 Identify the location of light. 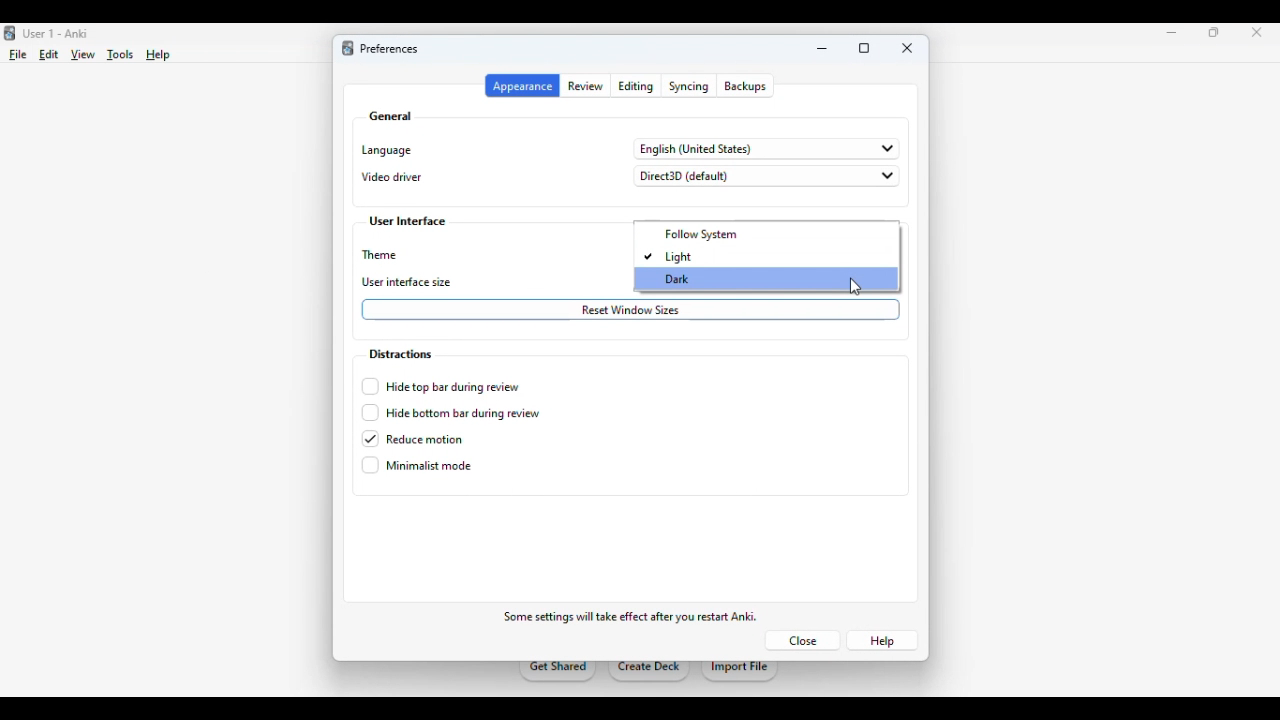
(670, 257).